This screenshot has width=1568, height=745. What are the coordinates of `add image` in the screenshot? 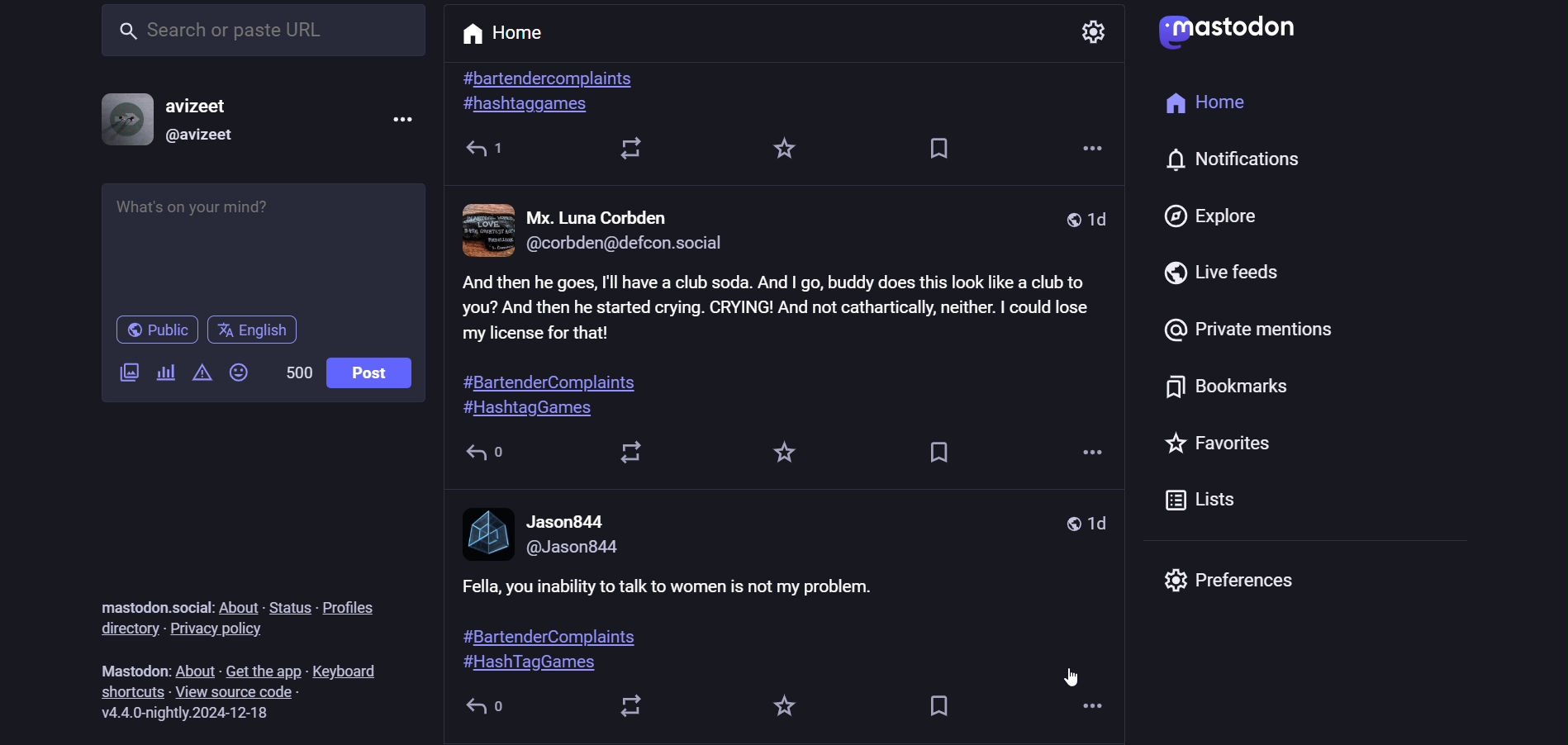 It's located at (130, 370).